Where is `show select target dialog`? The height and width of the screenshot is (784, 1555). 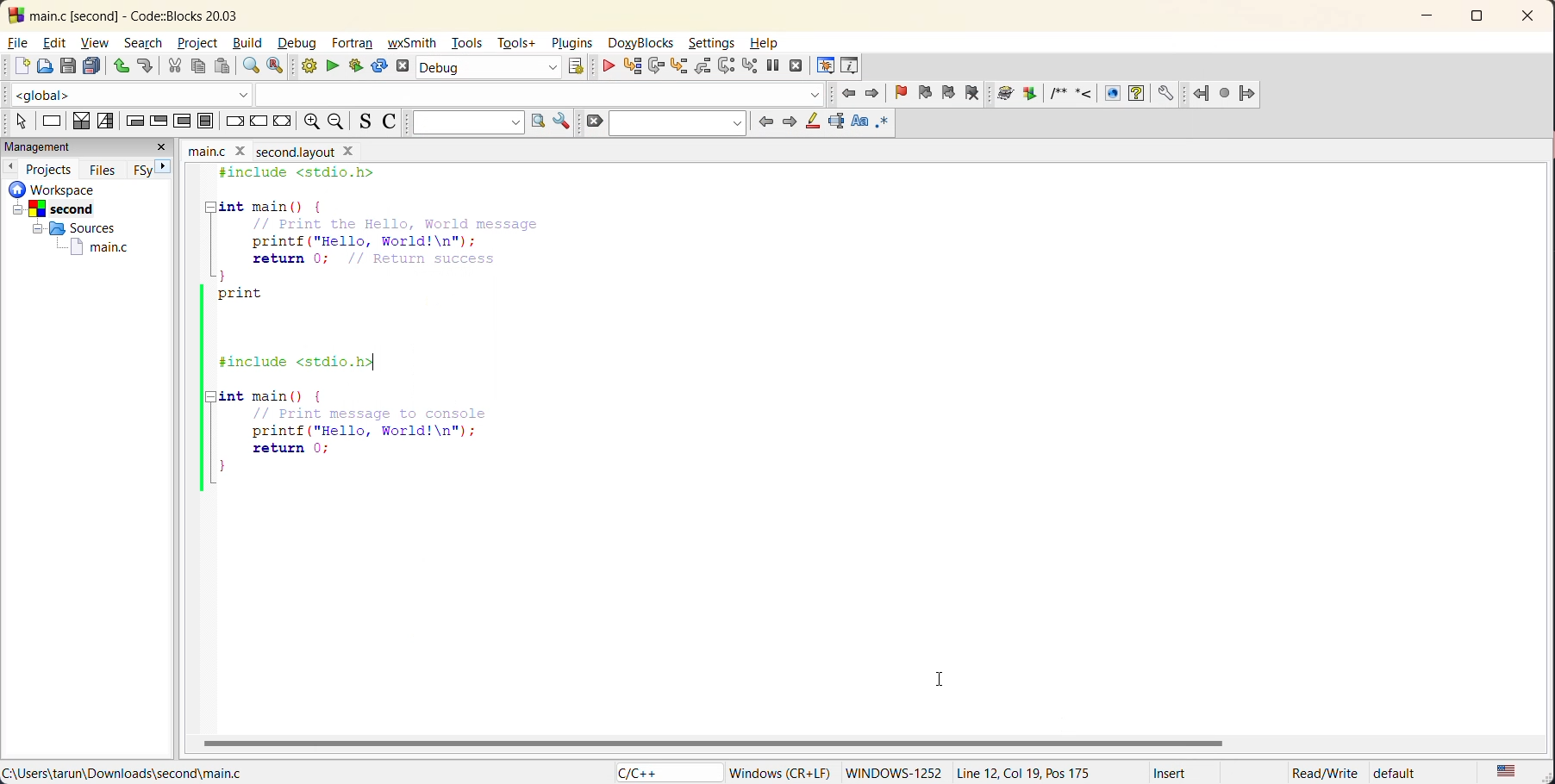 show select target dialog is located at coordinates (579, 65).